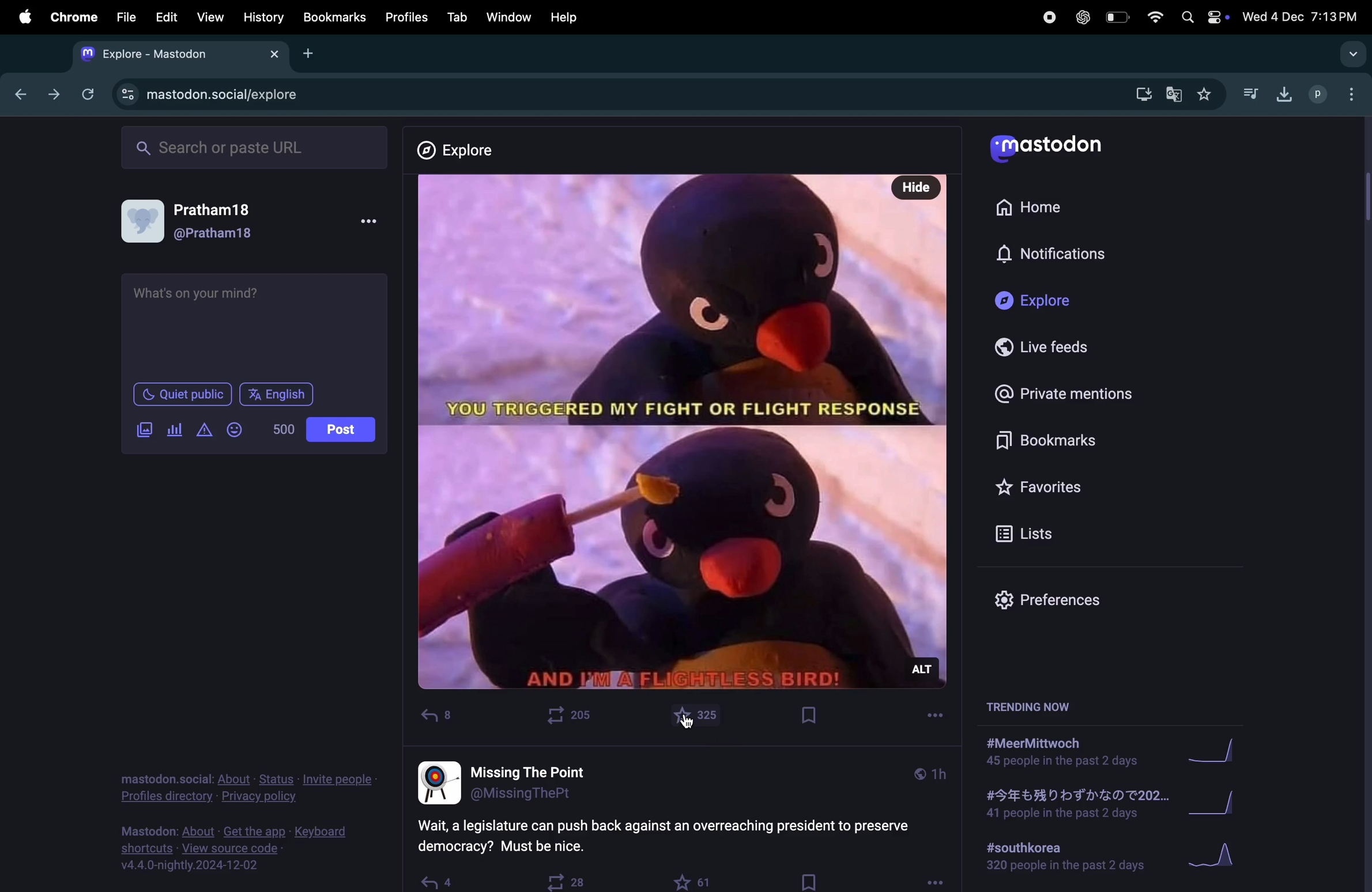 The width and height of the screenshot is (1372, 892). Describe the element at coordinates (74, 19) in the screenshot. I see `chrome` at that location.